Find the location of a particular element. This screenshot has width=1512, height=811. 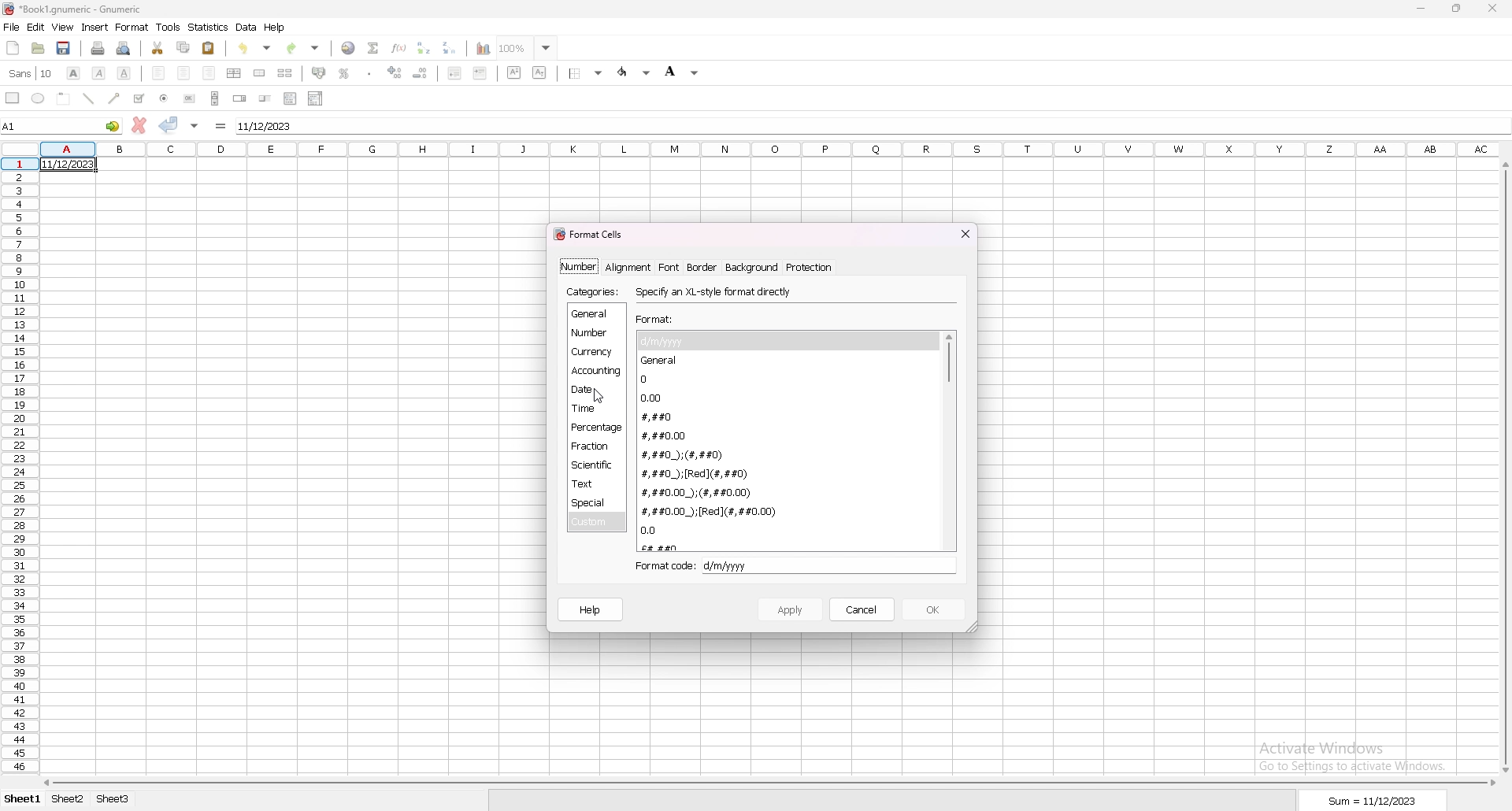

increase indent is located at coordinates (481, 73).